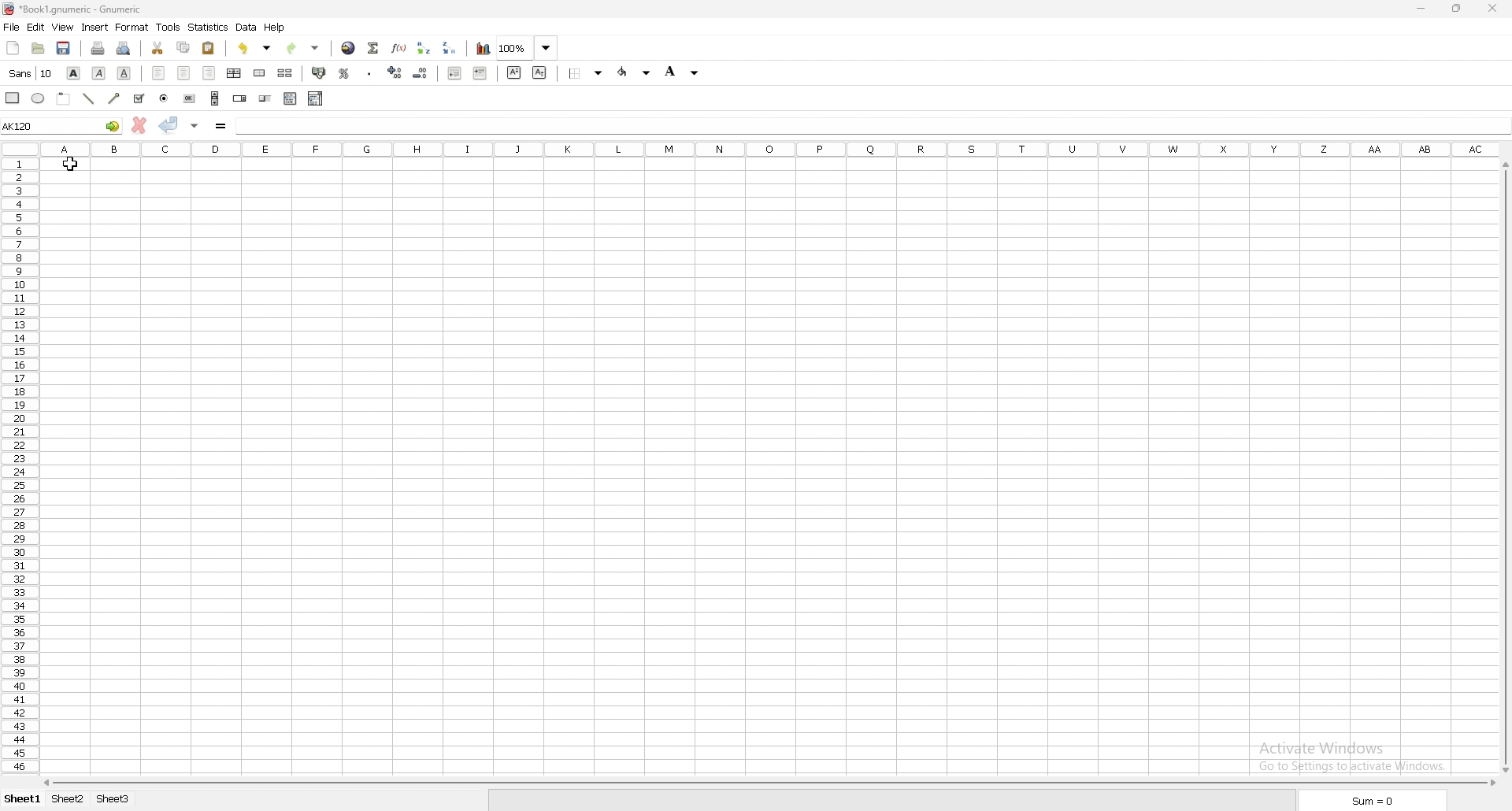 The height and width of the screenshot is (811, 1512). What do you see at coordinates (344, 73) in the screenshot?
I see `percentage` at bounding box center [344, 73].